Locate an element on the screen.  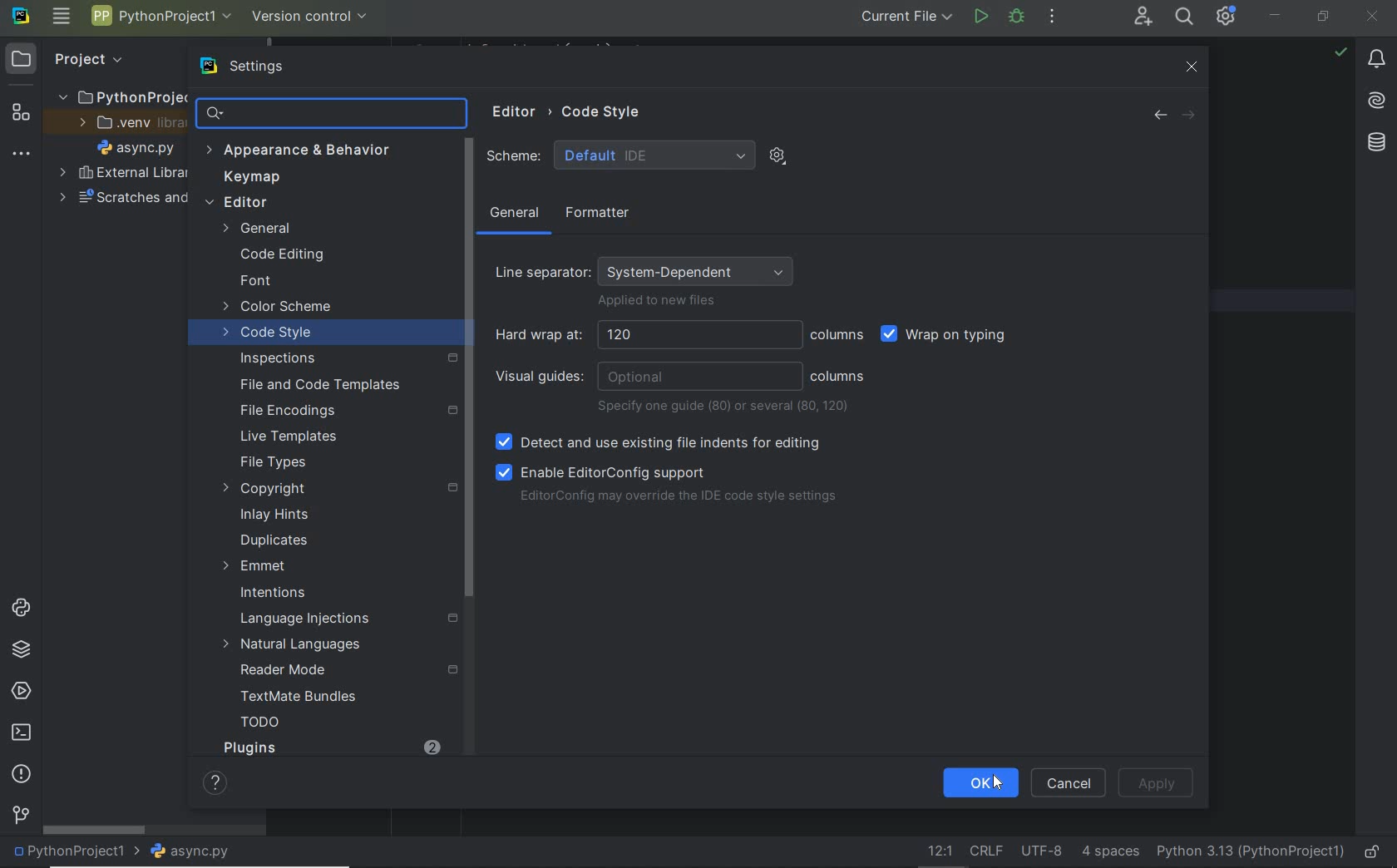
more actions is located at coordinates (1053, 18).